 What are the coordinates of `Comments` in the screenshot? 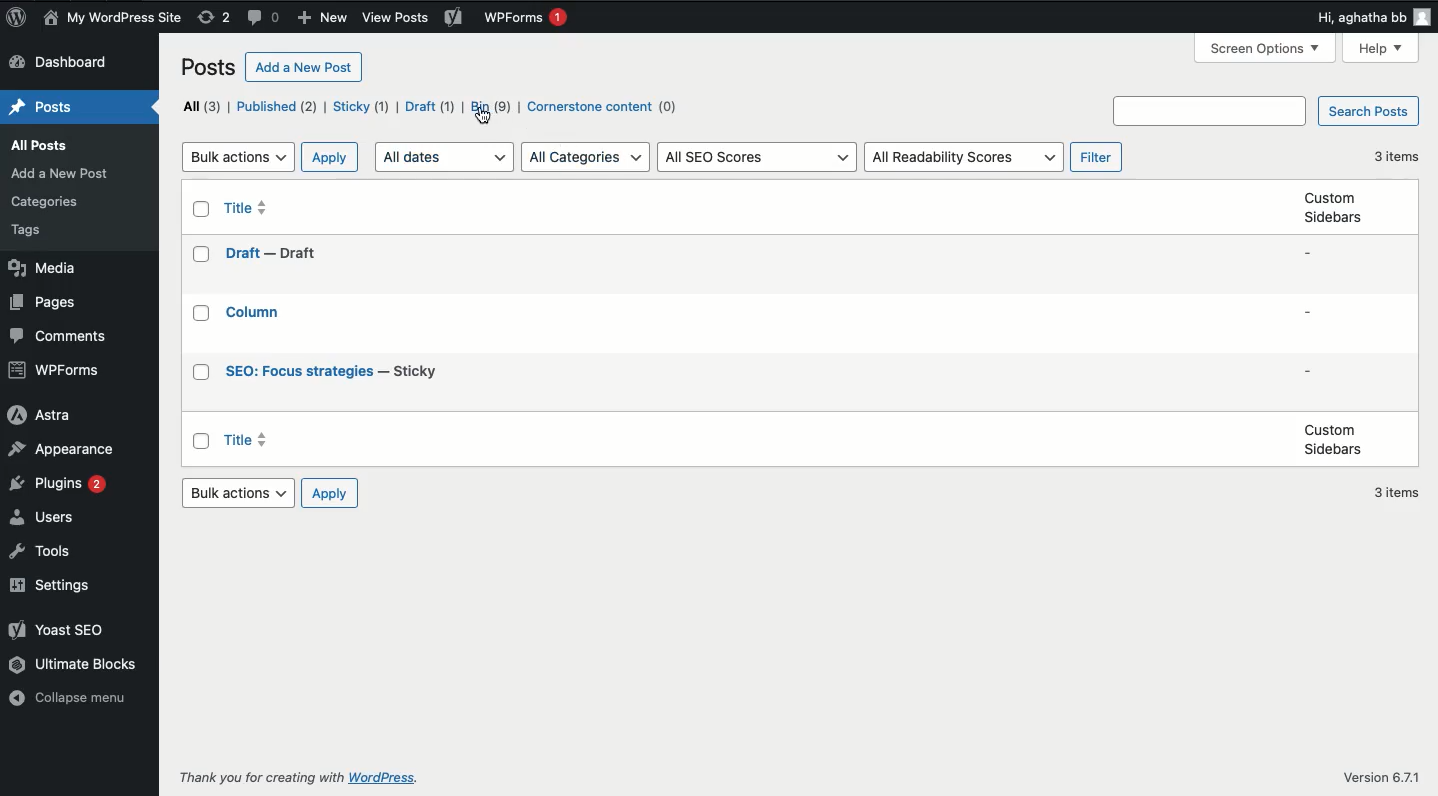 It's located at (264, 18).